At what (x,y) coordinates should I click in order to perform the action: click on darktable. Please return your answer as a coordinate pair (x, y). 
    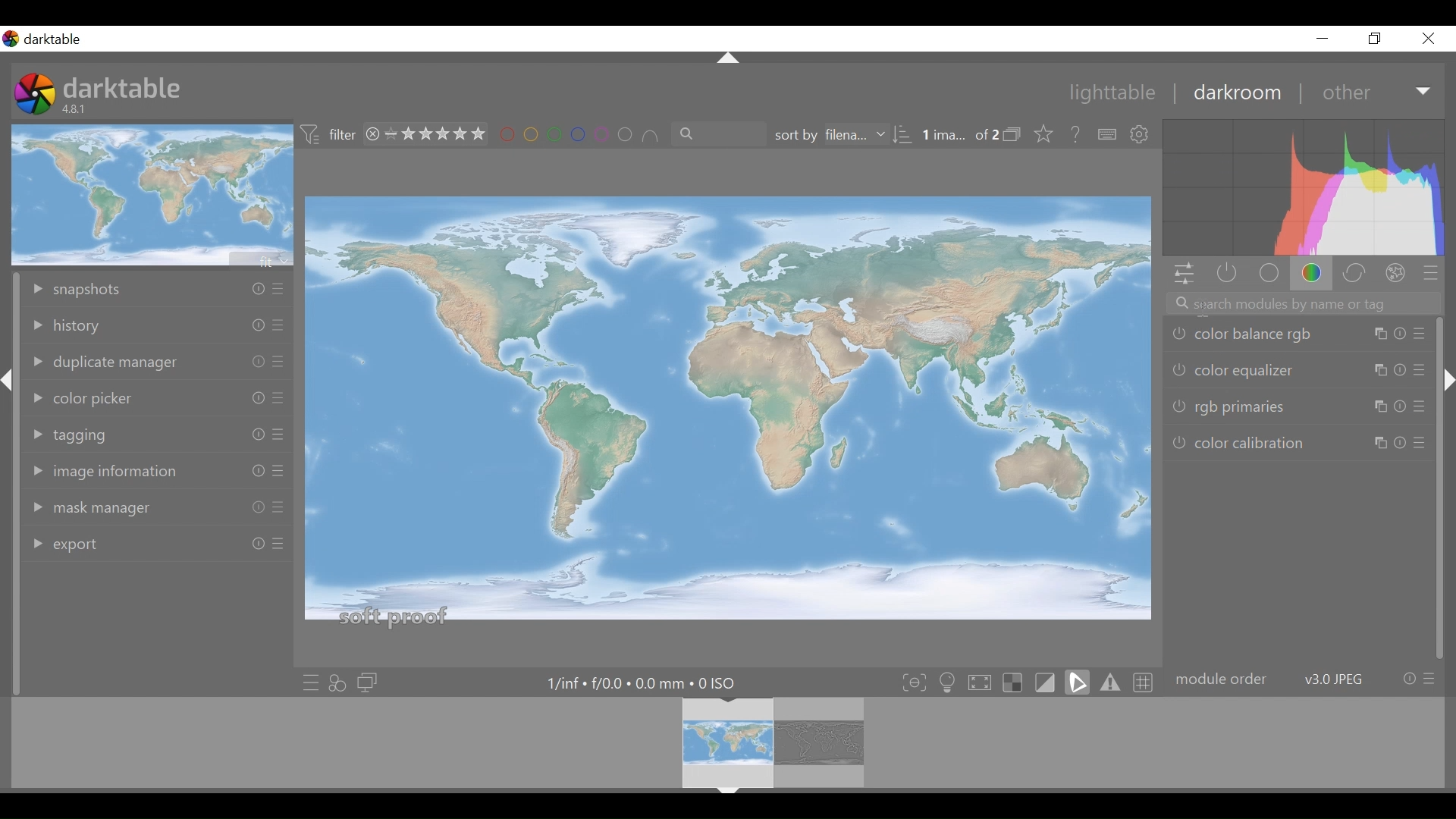
    Looking at the image, I should click on (128, 86).